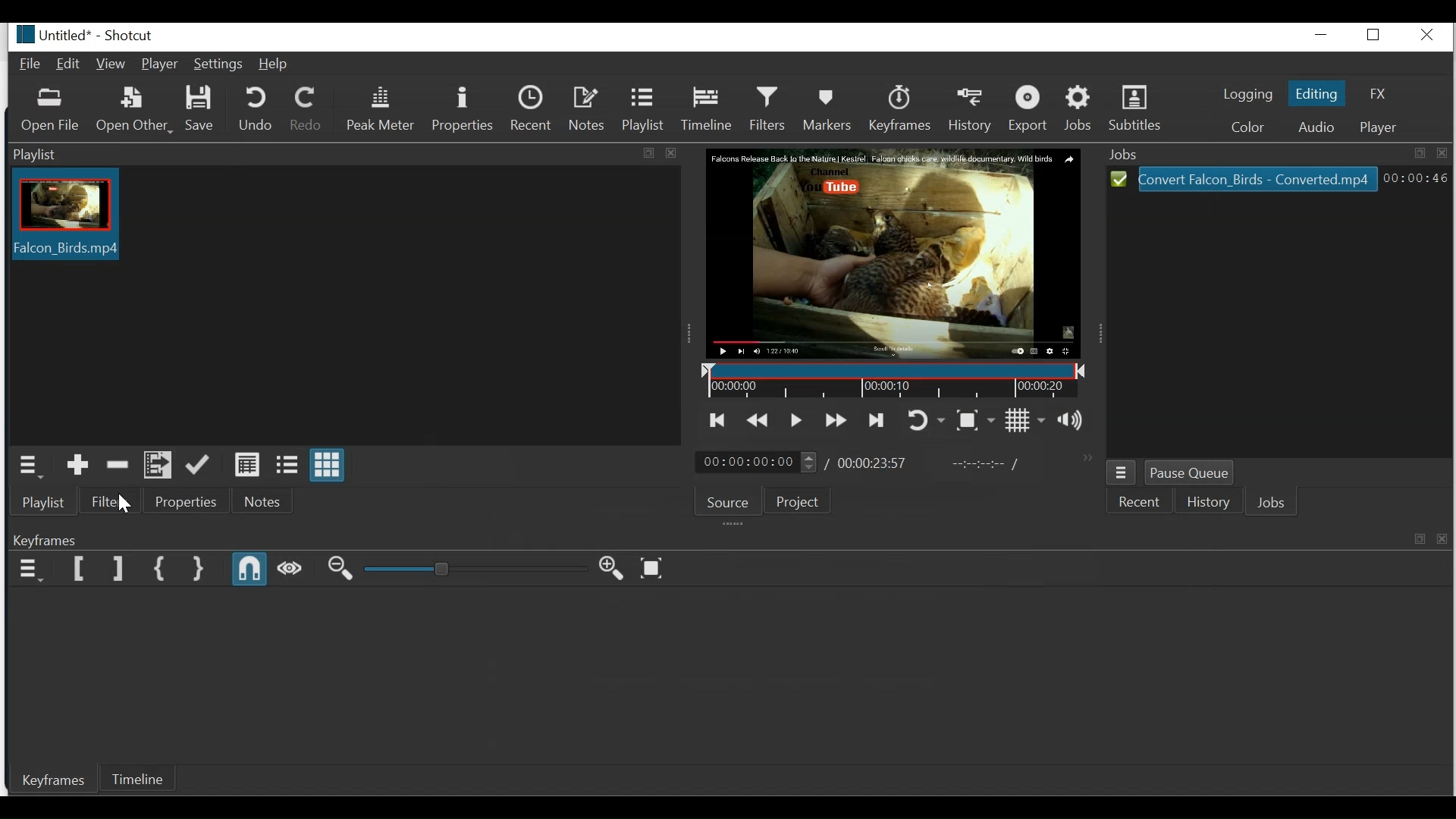 The image size is (1456, 819). Describe the element at coordinates (47, 780) in the screenshot. I see `Keyframes` at that location.